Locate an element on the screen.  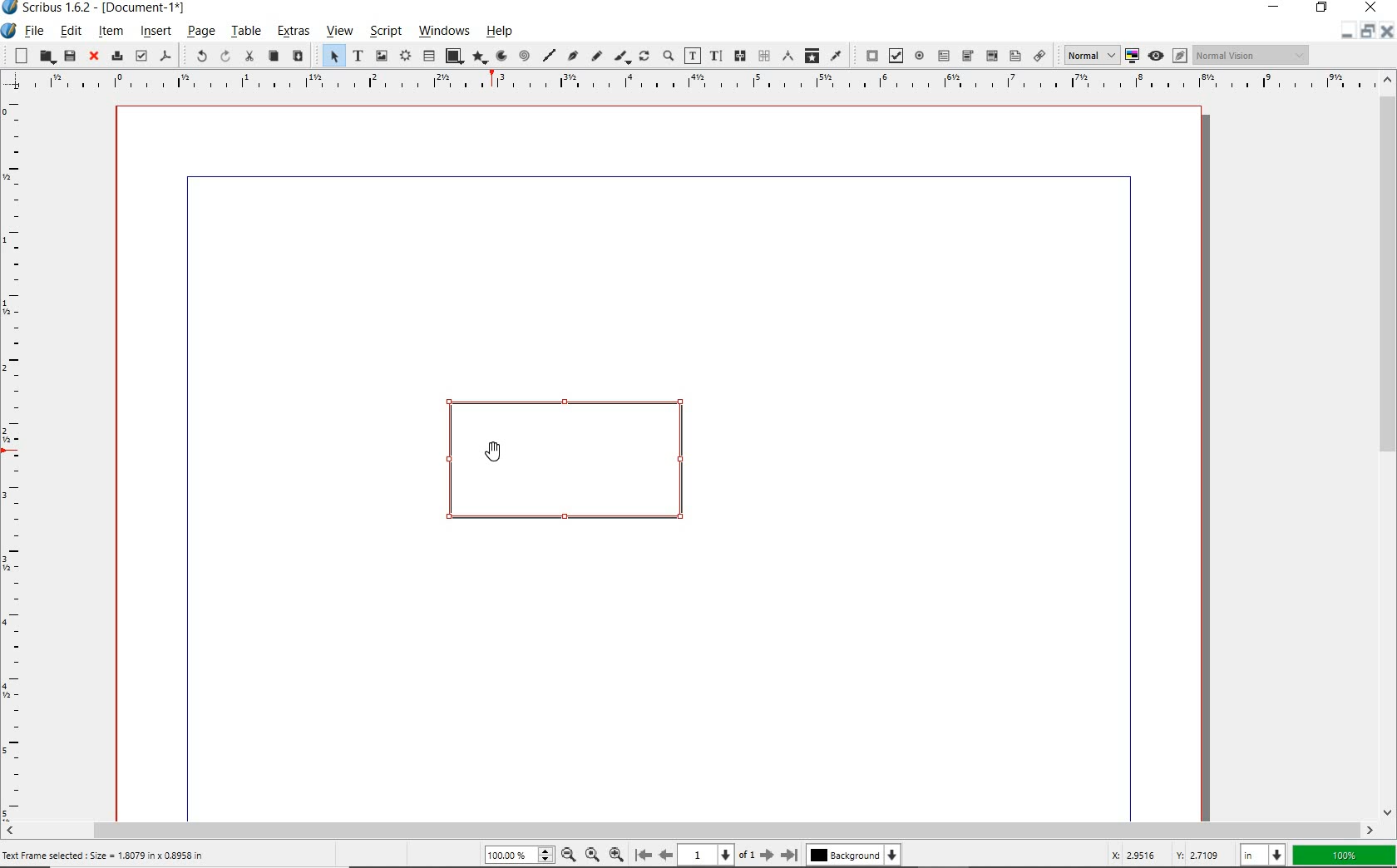
pdf combo box is located at coordinates (967, 57).